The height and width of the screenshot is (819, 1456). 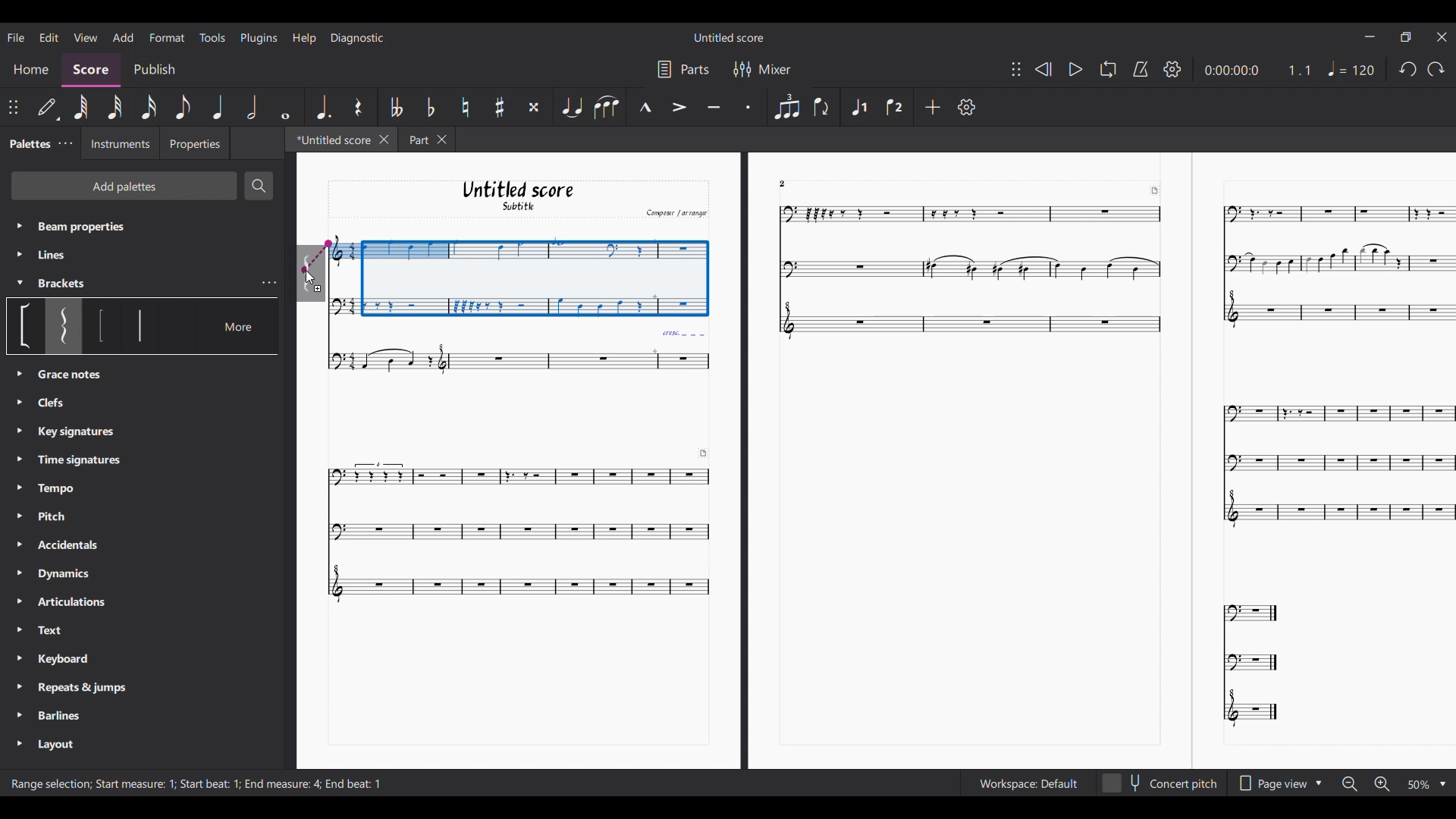 I want to click on Comput arrange, so click(x=673, y=212).